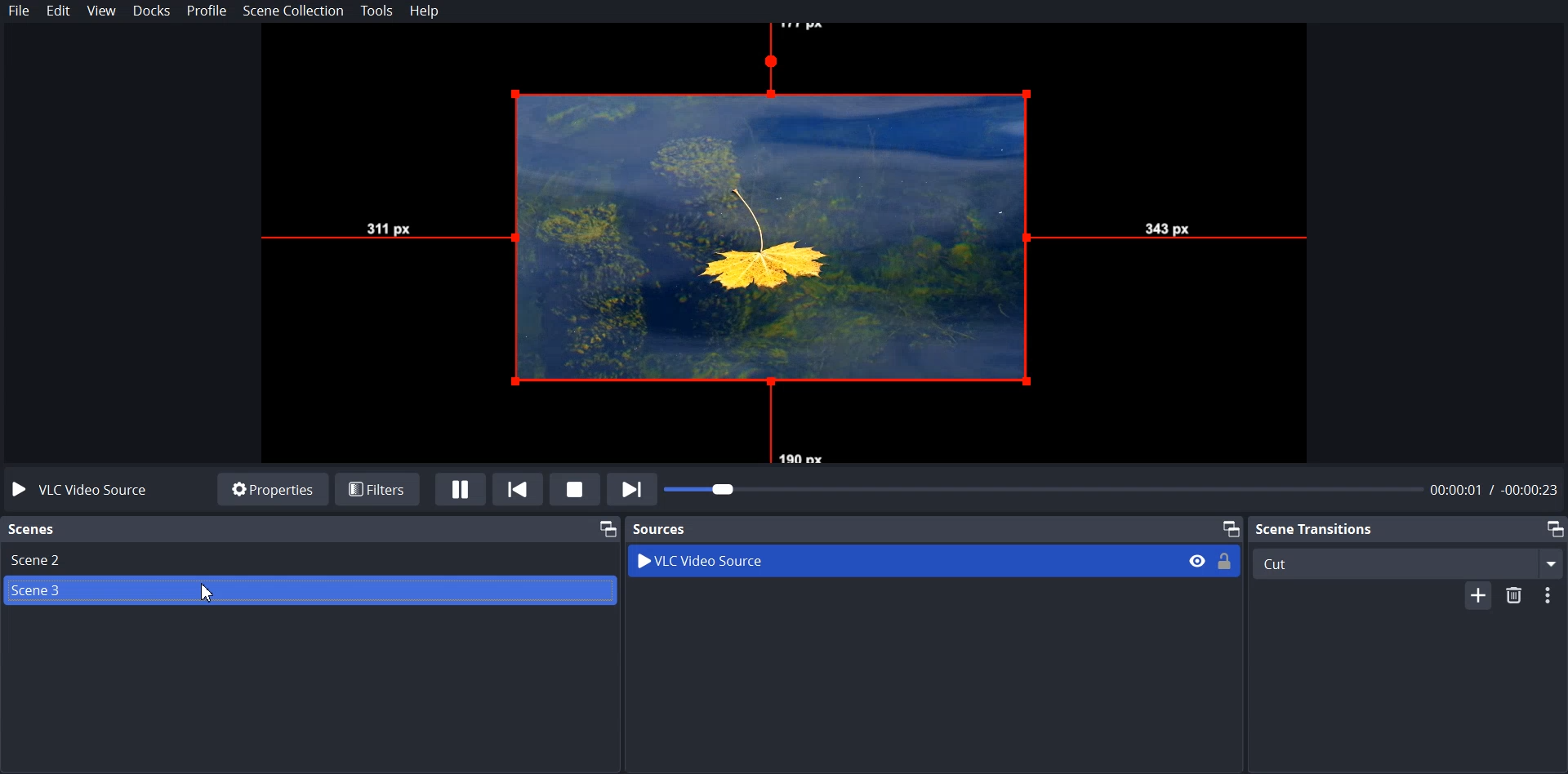 Image resolution: width=1568 pixels, height=774 pixels. Describe the element at coordinates (153, 11) in the screenshot. I see `Docks` at that location.